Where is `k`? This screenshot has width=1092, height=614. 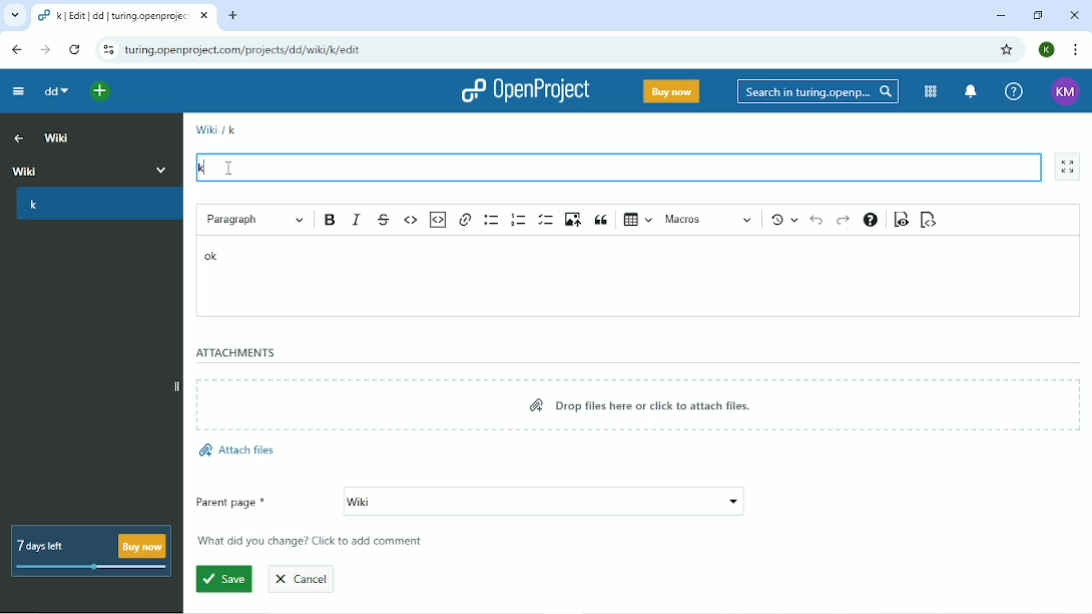
k is located at coordinates (34, 206).